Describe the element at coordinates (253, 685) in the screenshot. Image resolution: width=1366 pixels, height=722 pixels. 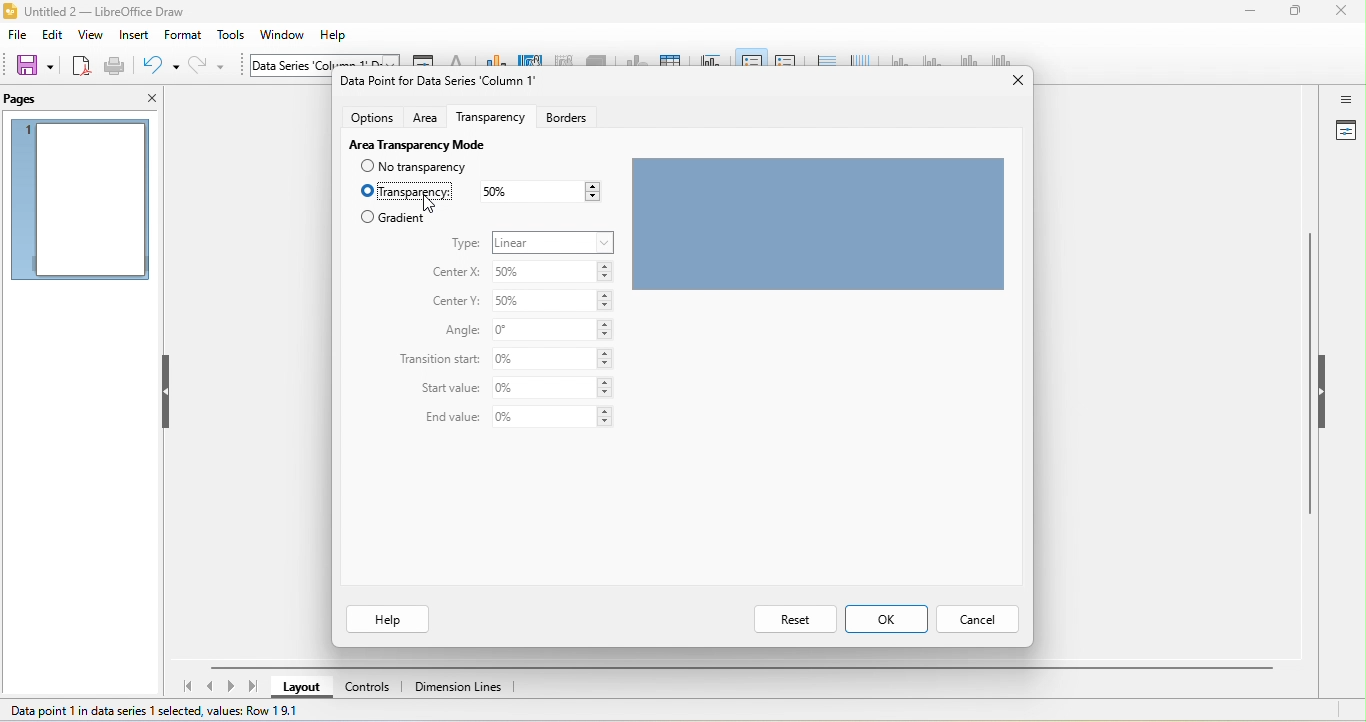
I see `last` at that location.